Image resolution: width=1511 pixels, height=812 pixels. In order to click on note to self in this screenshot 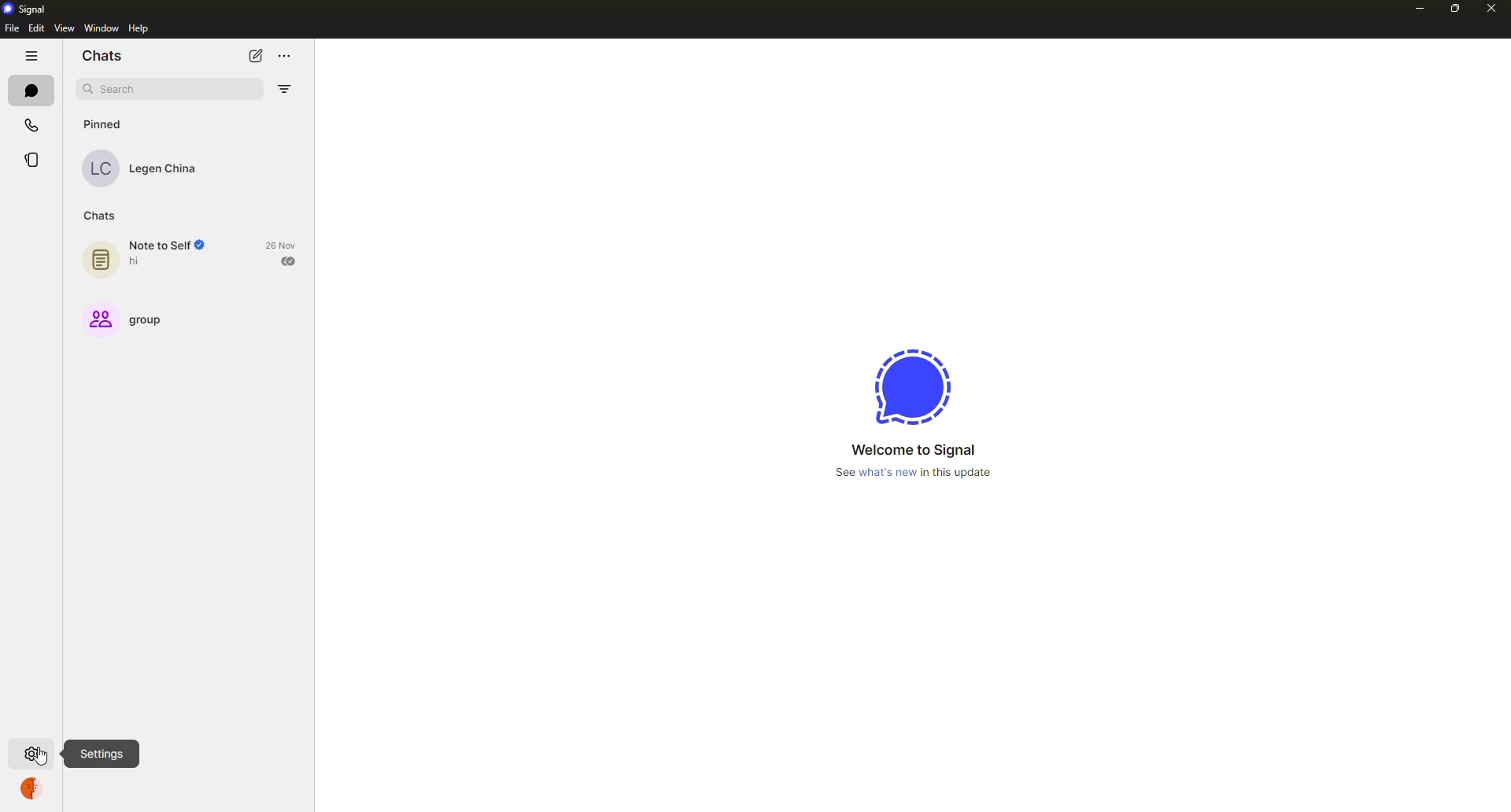, I will do `click(150, 255)`.